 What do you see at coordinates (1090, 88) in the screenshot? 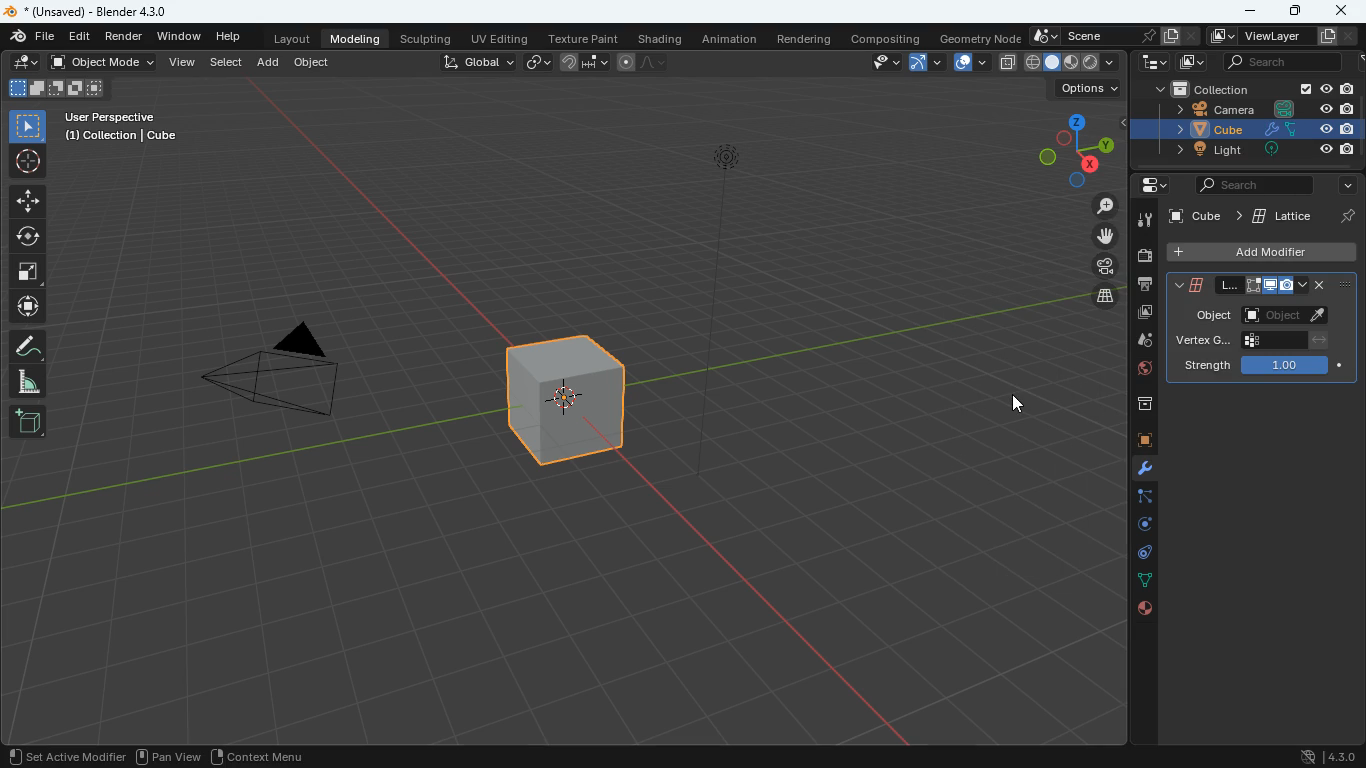
I see `options` at bounding box center [1090, 88].